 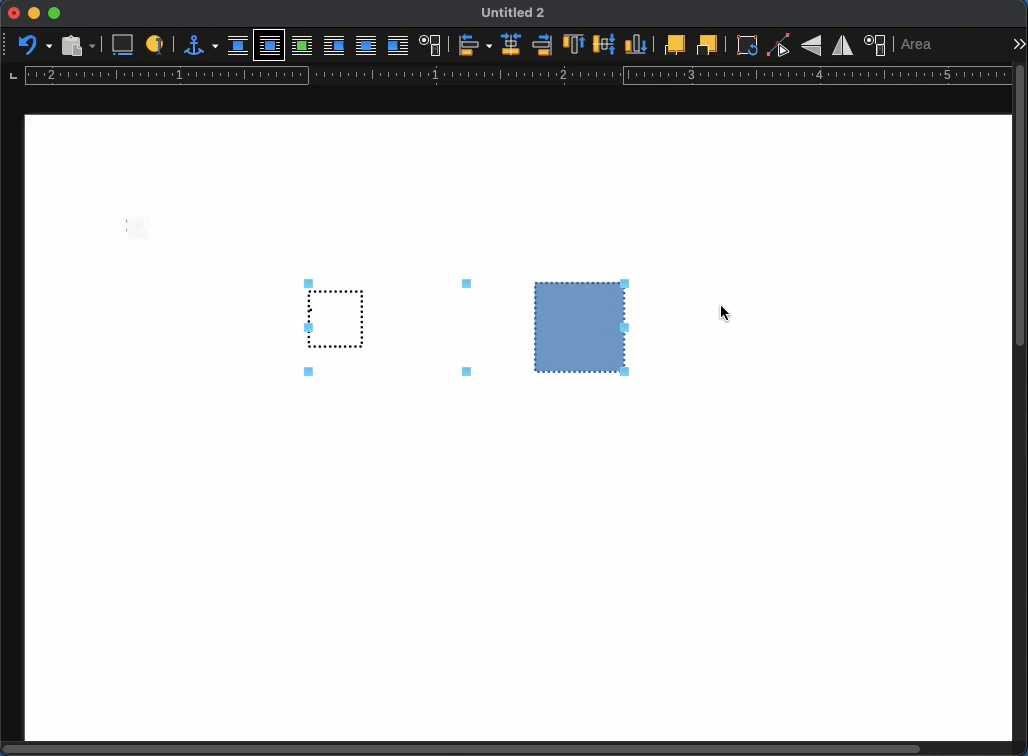 I want to click on rotate, so click(x=745, y=46).